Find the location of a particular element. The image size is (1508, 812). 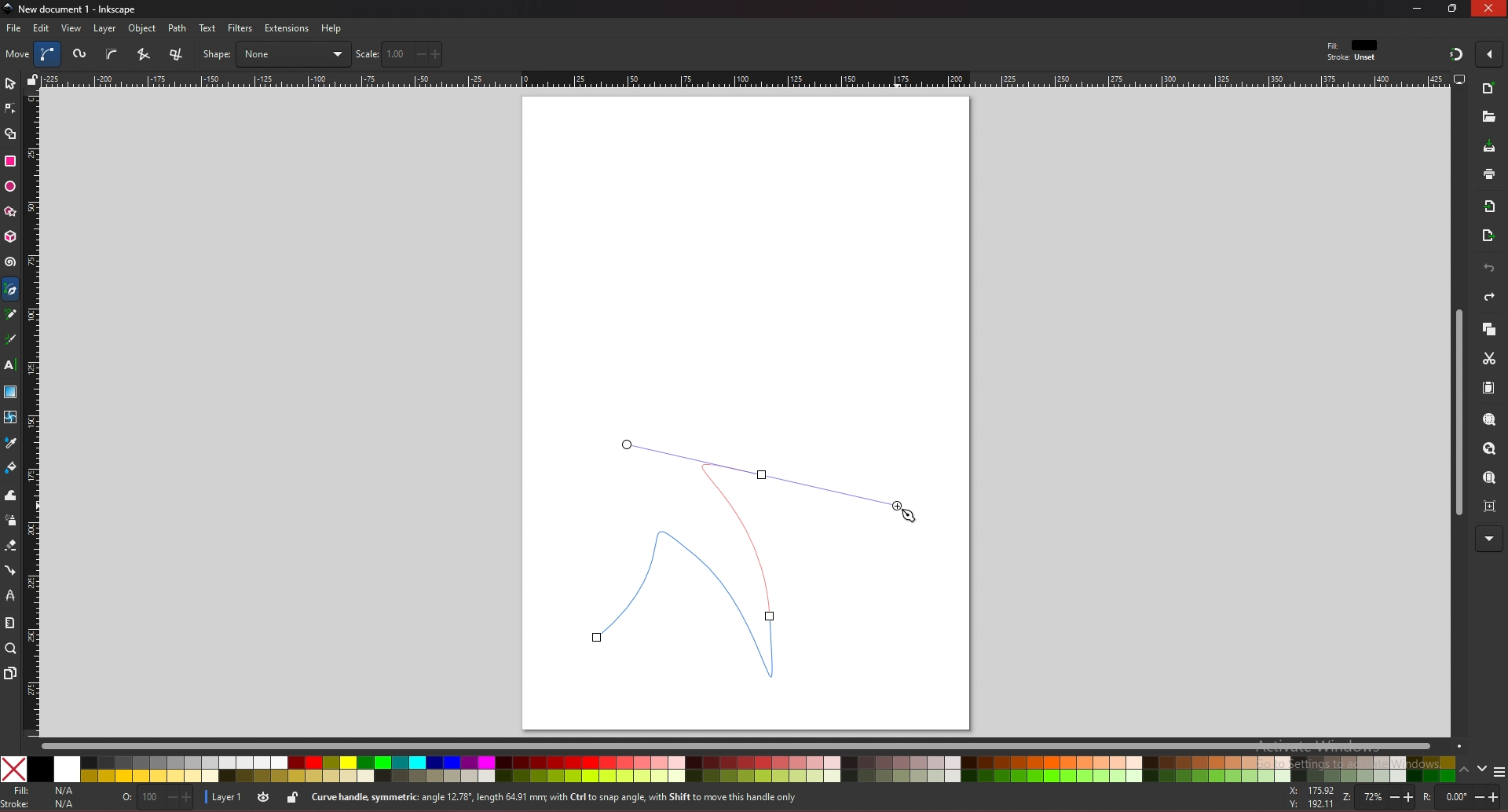

zoom is located at coordinates (1375, 796).